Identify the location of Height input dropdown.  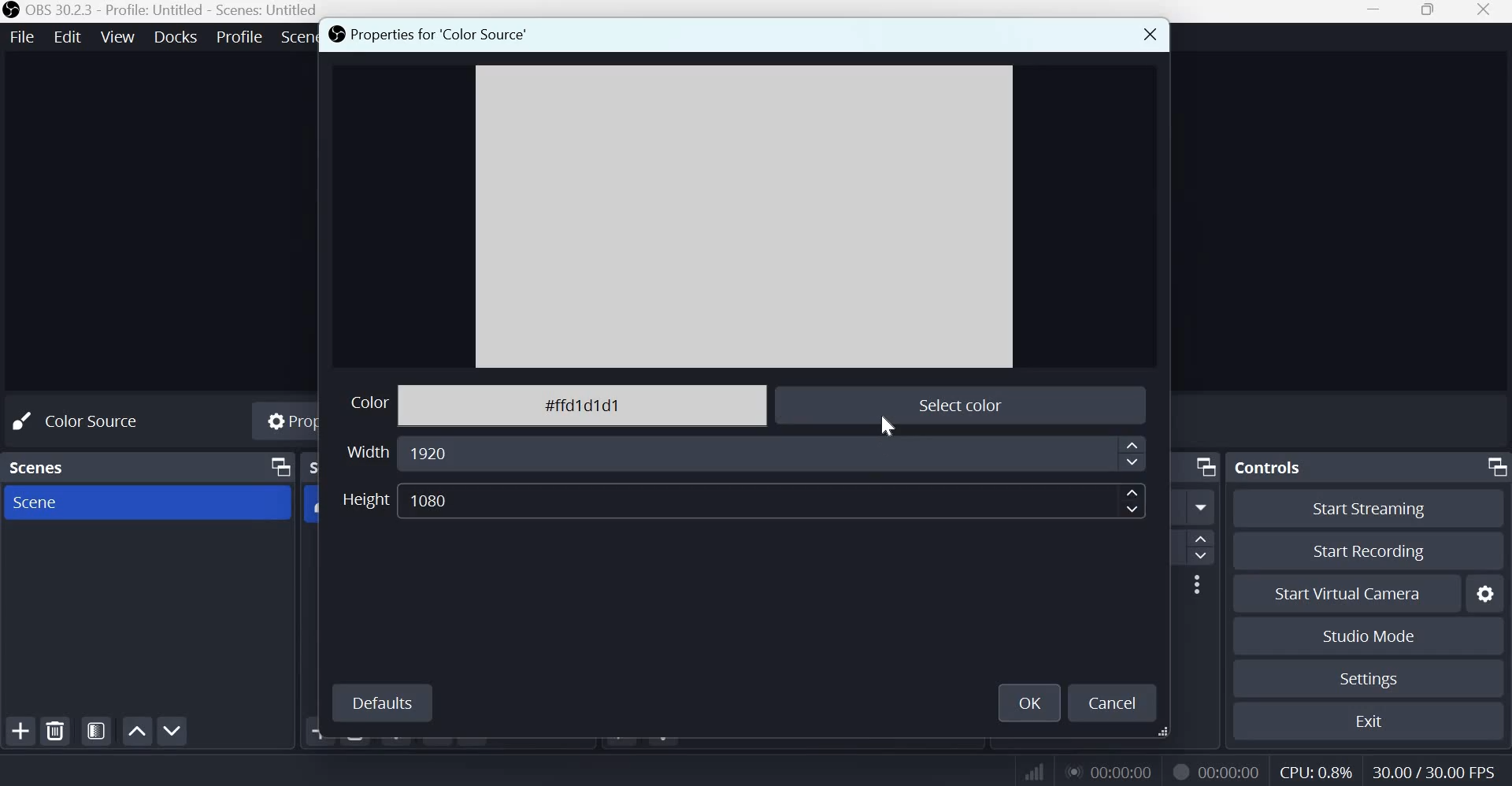
(774, 499).